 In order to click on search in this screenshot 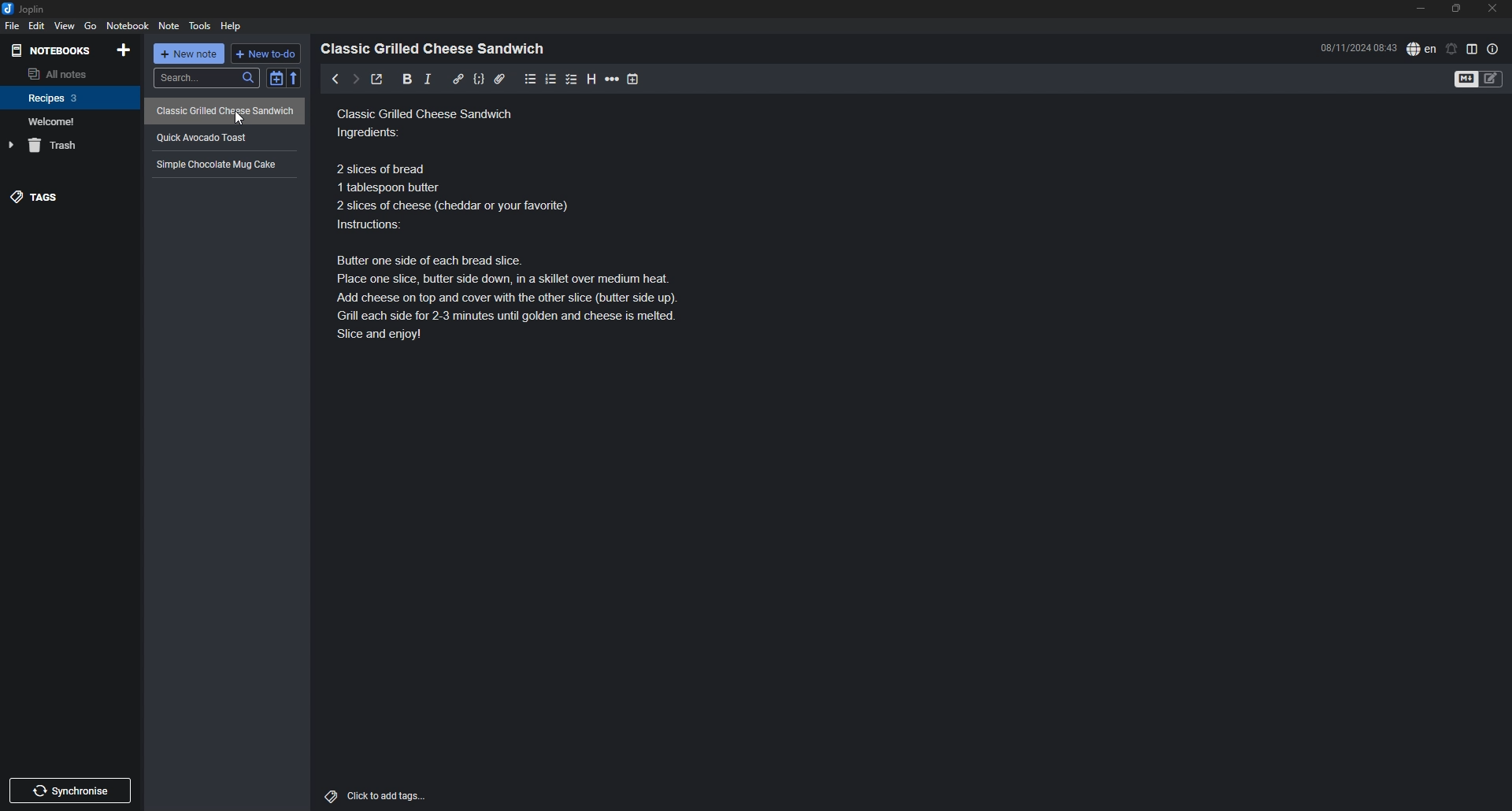, I will do `click(206, 78)`.